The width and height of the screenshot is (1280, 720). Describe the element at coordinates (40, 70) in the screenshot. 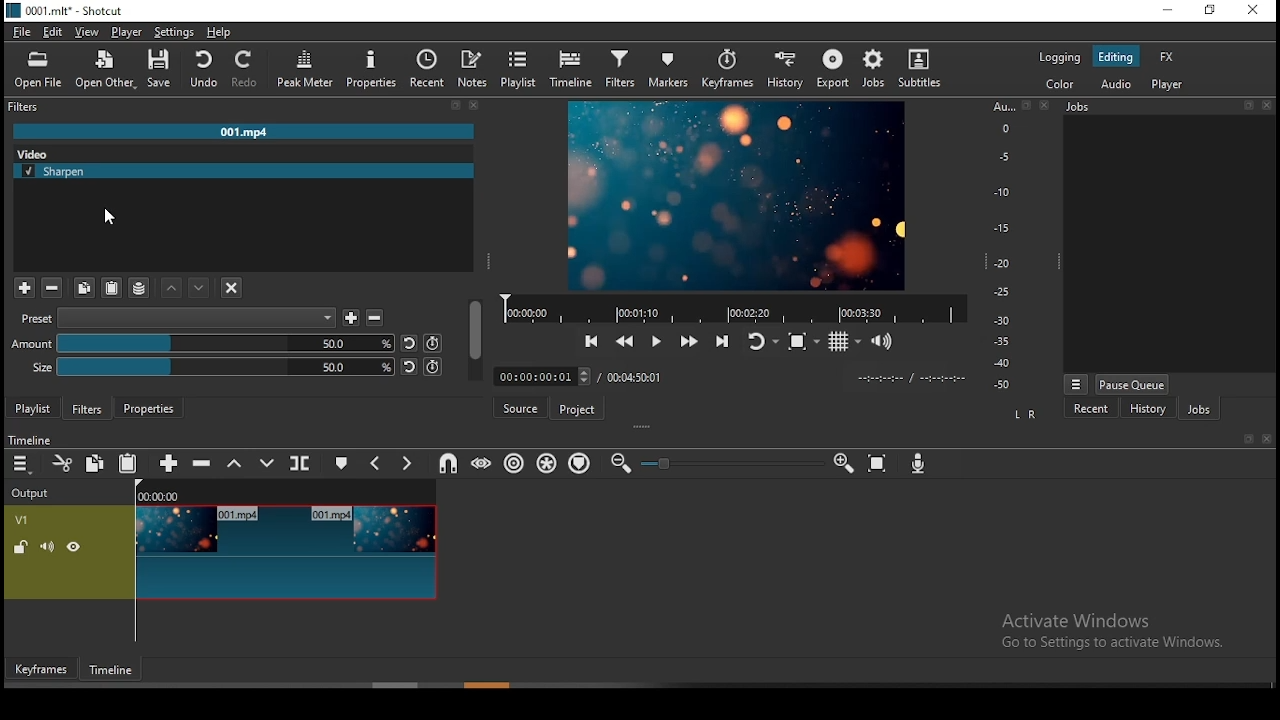

I see `open file` at that location.